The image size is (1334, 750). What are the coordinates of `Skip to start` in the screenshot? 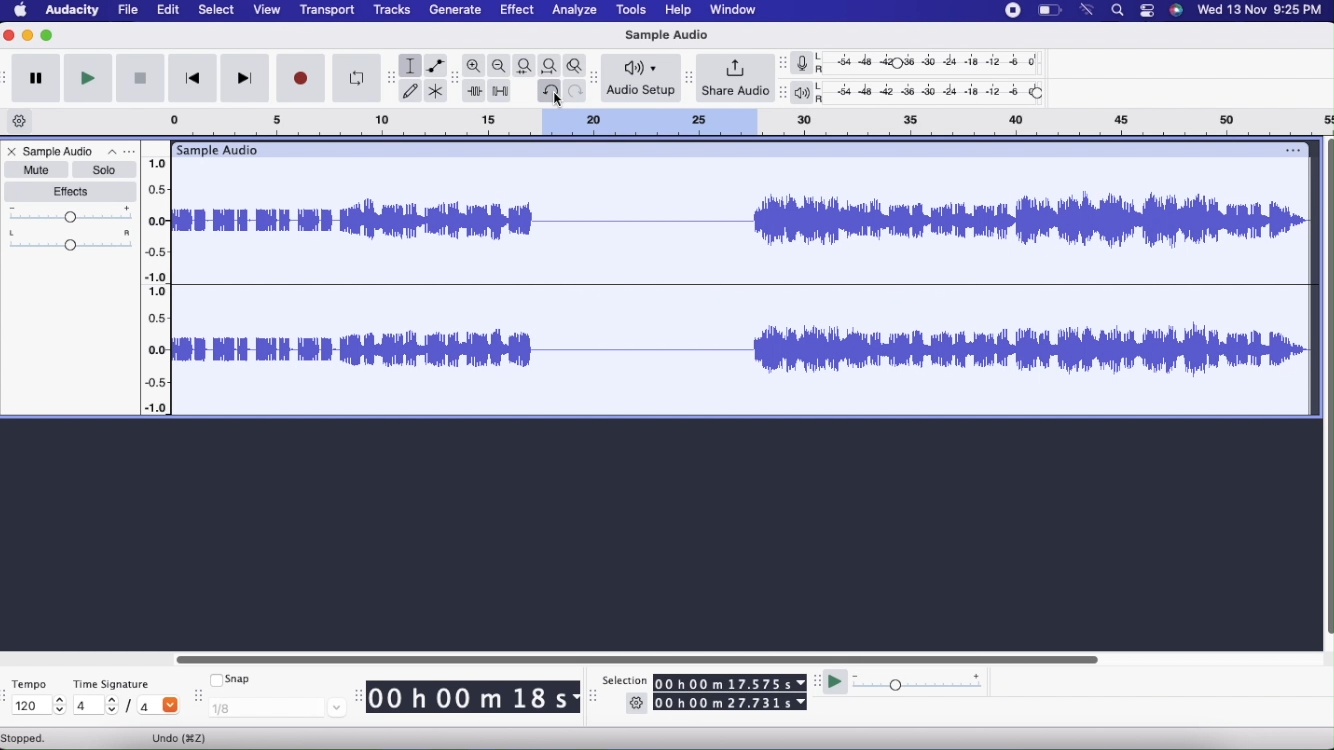 It's located at (192, 78).